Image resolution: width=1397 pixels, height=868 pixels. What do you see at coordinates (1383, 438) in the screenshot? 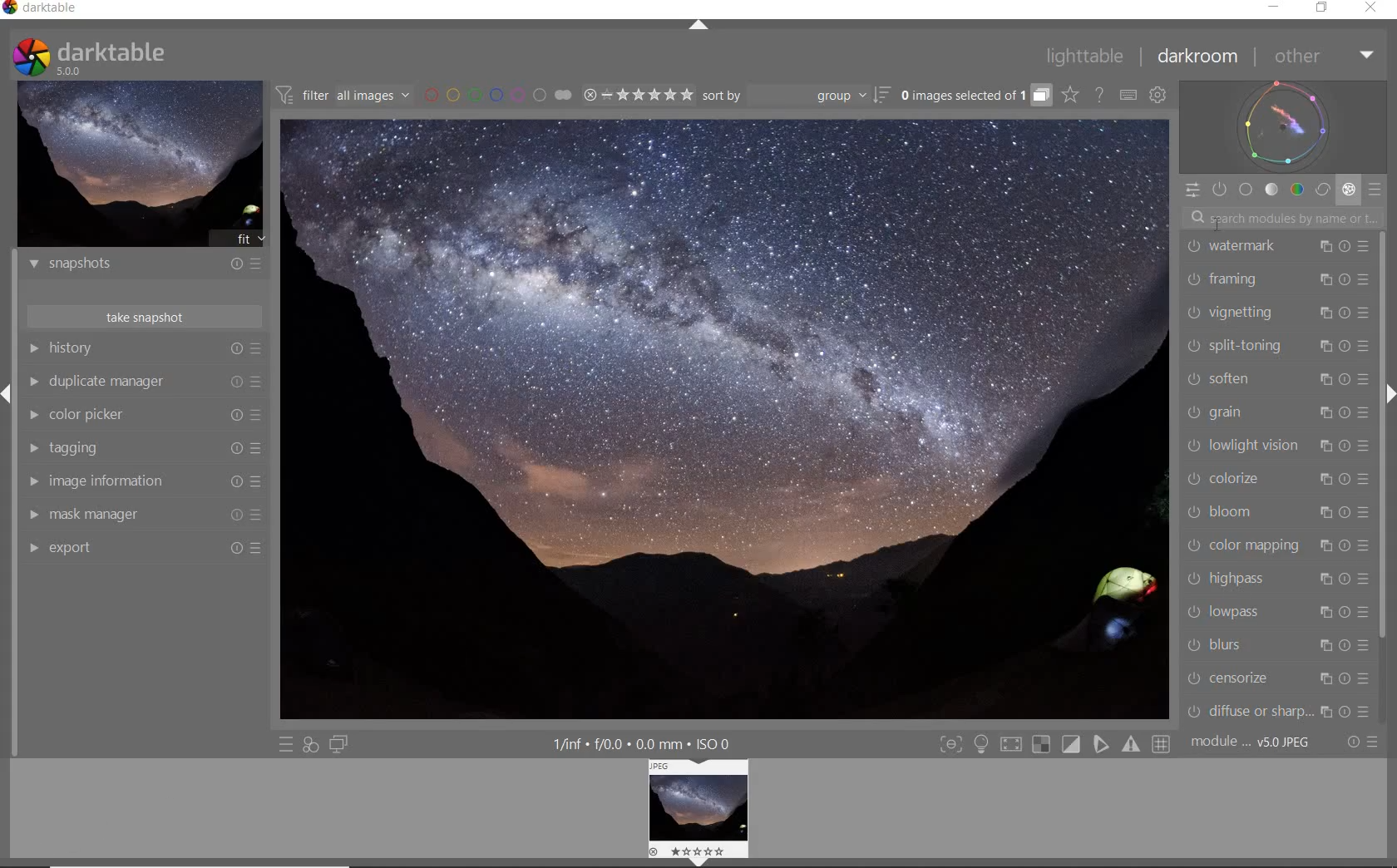
I see `SCROLLBAR` at bounding box center [1383, 438].